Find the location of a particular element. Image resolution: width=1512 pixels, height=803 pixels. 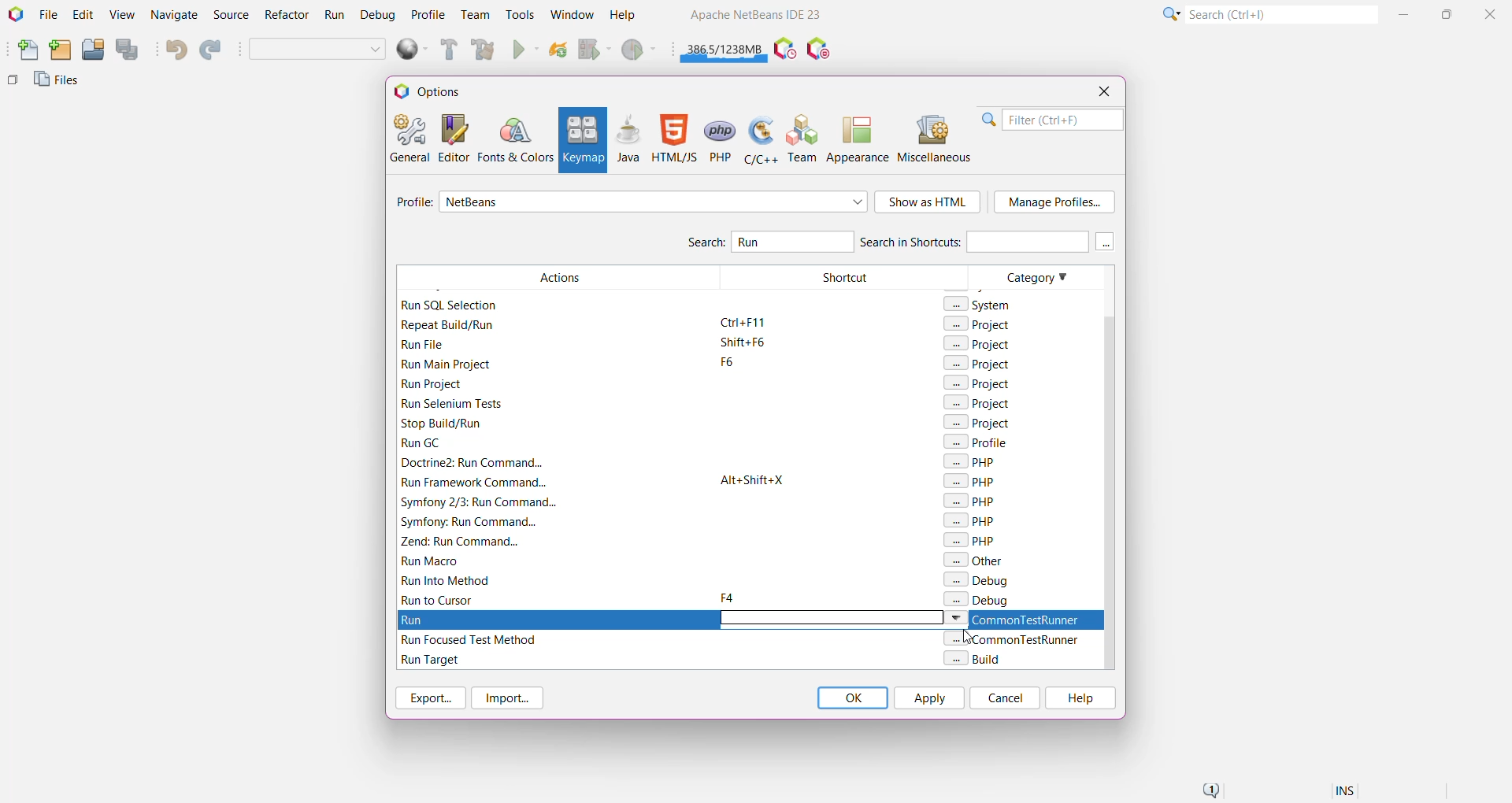

HTML/JS is located at coordinates (673, 139).